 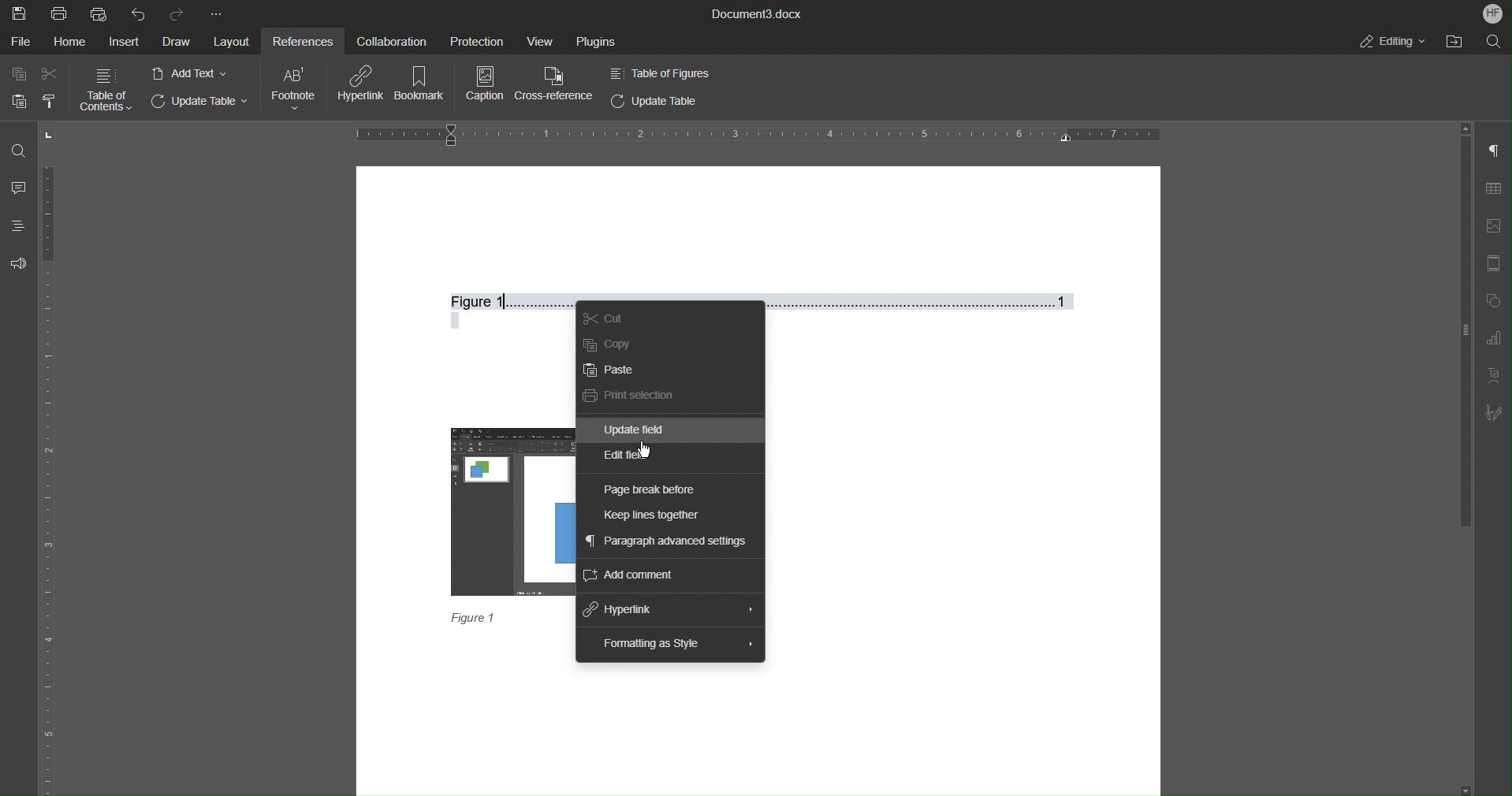 What do you see at coordinates (1497, 42) in the screenshot?
I see `Search` at bounding box center [1497, 42].